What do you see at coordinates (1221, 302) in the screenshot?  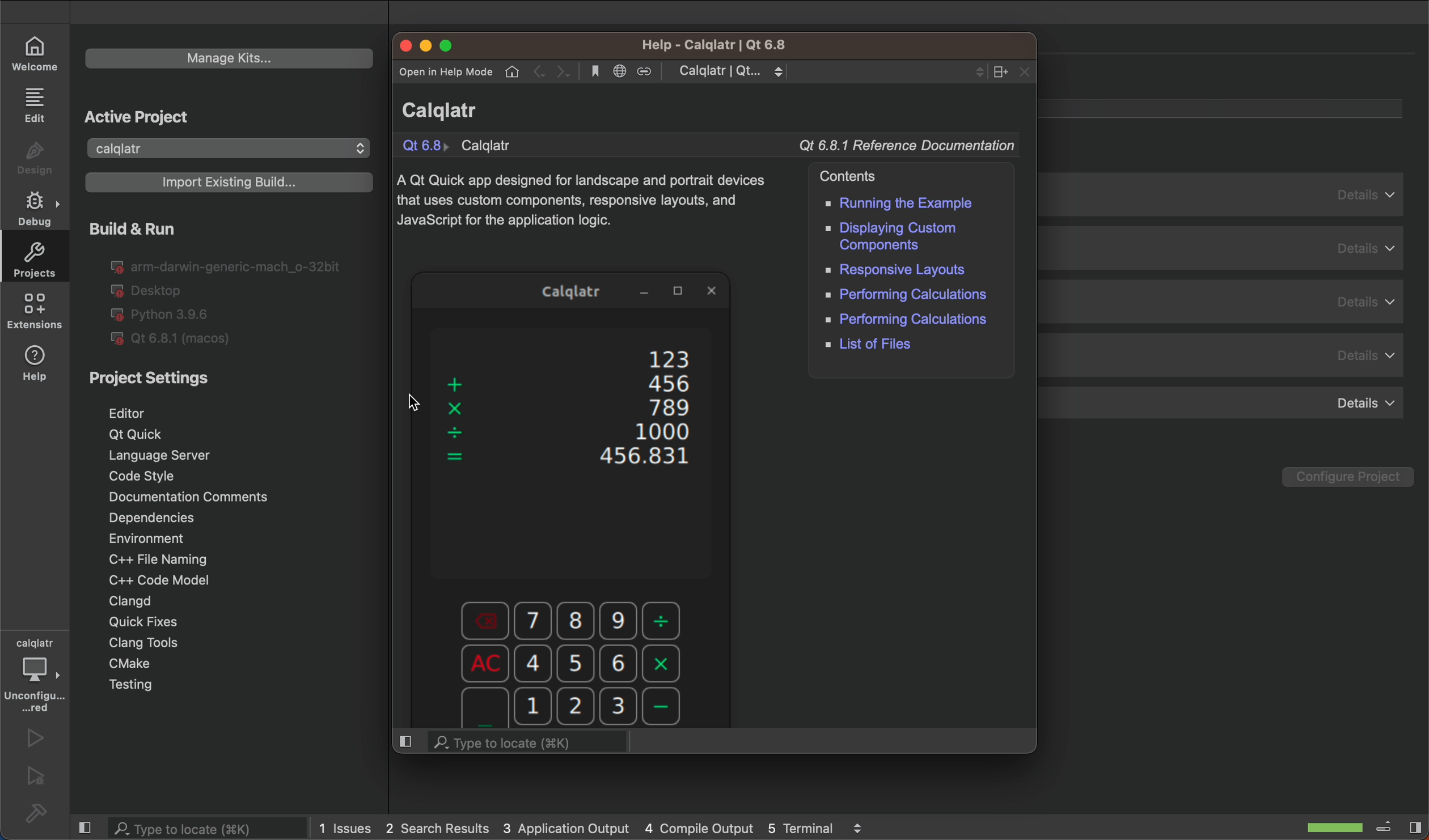 I see `details` at bounding box center [1221, 302].